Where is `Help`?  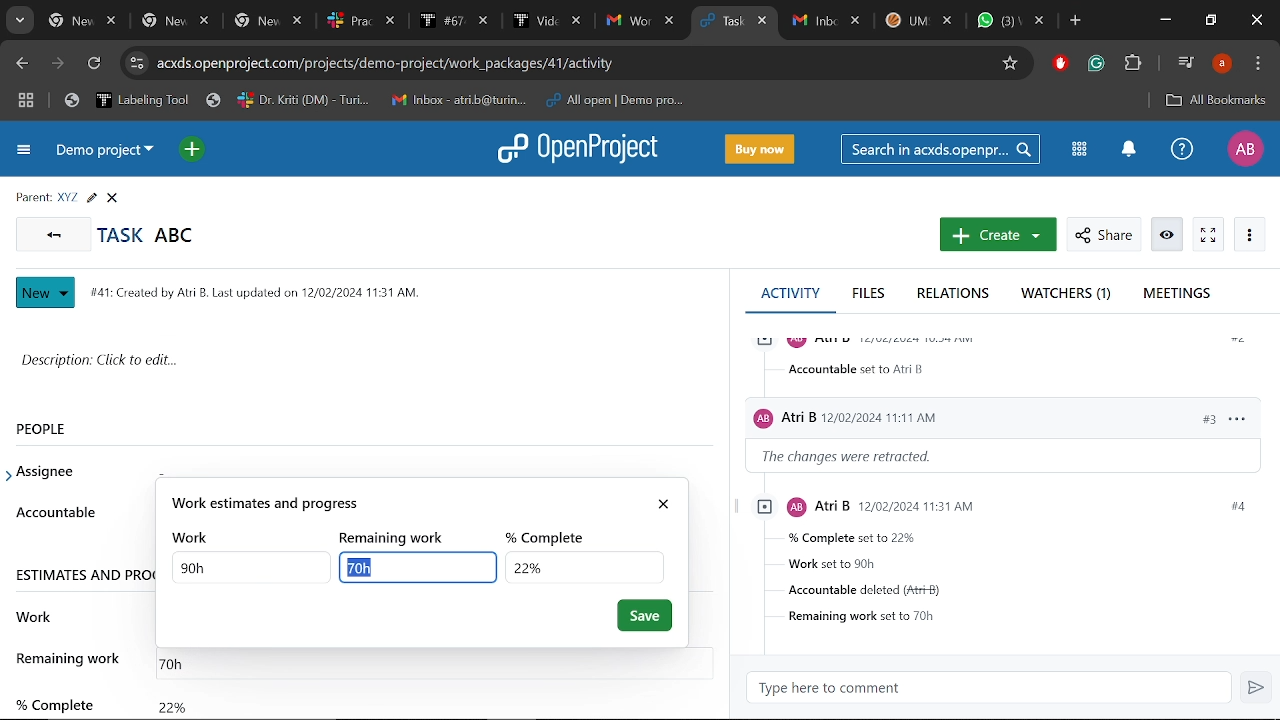
Help is located at coordinates (1182, 151).